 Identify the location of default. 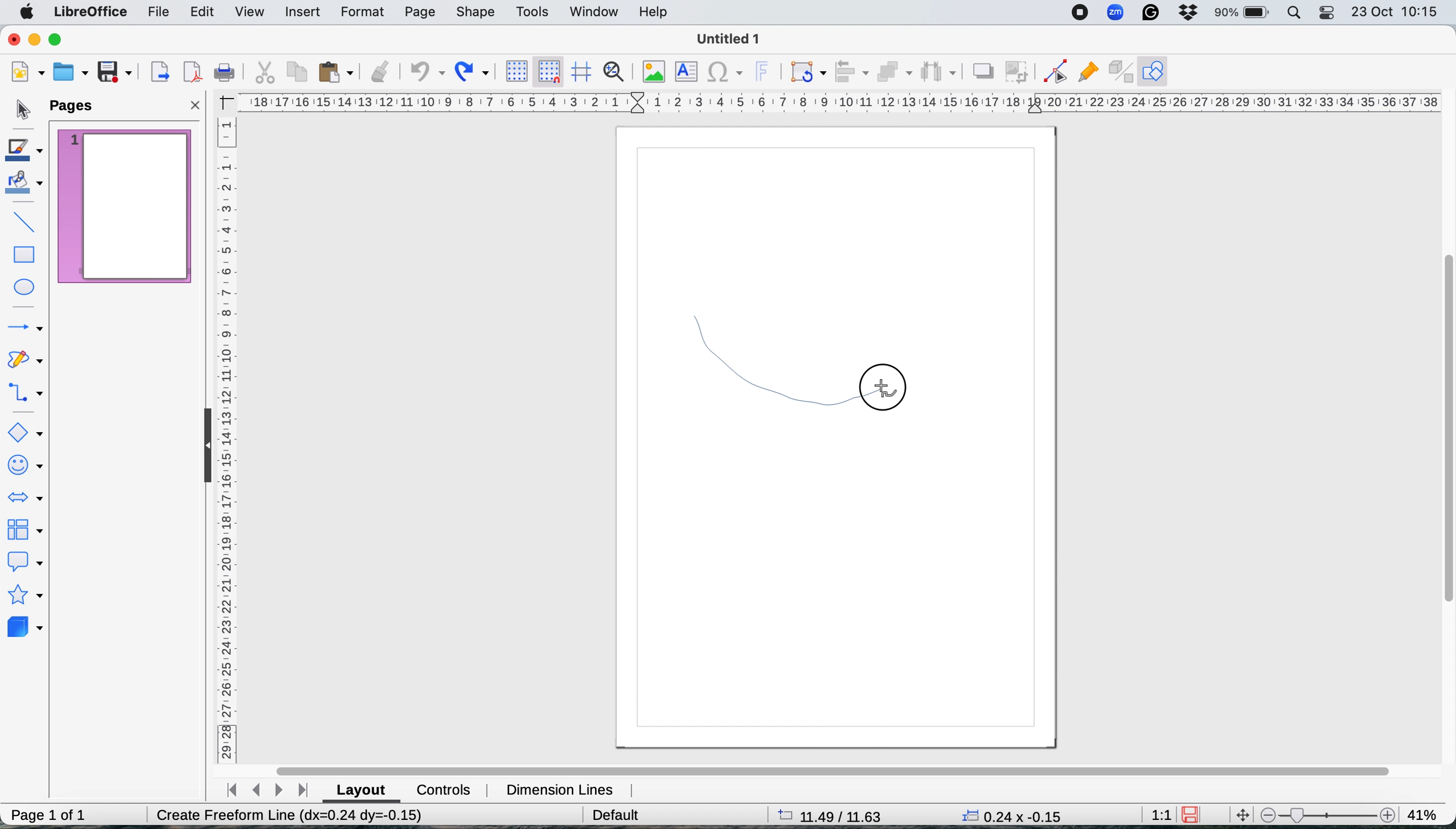
(616, 814).